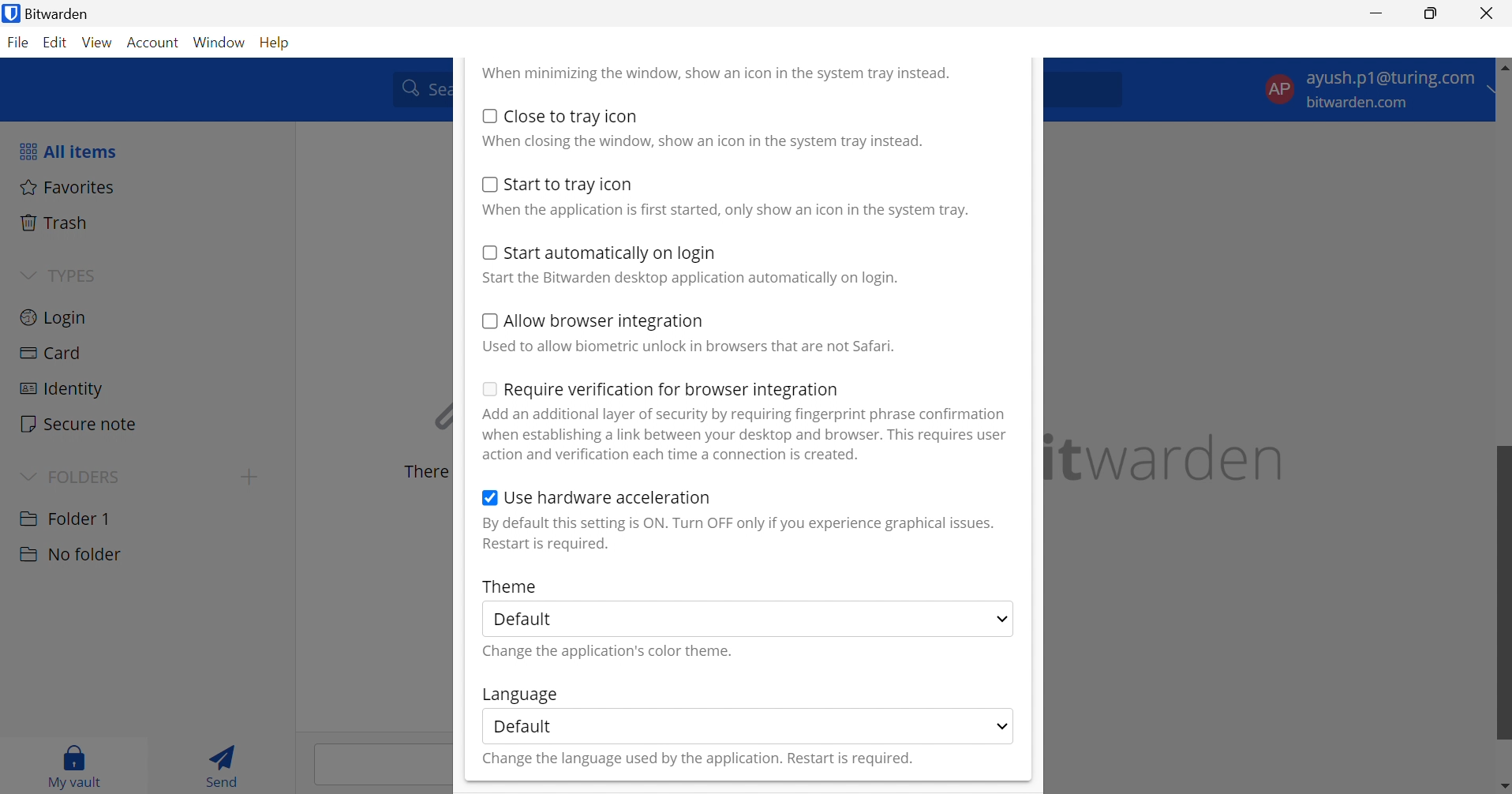  I want to click on Close to tray icon, so click(572, 116).